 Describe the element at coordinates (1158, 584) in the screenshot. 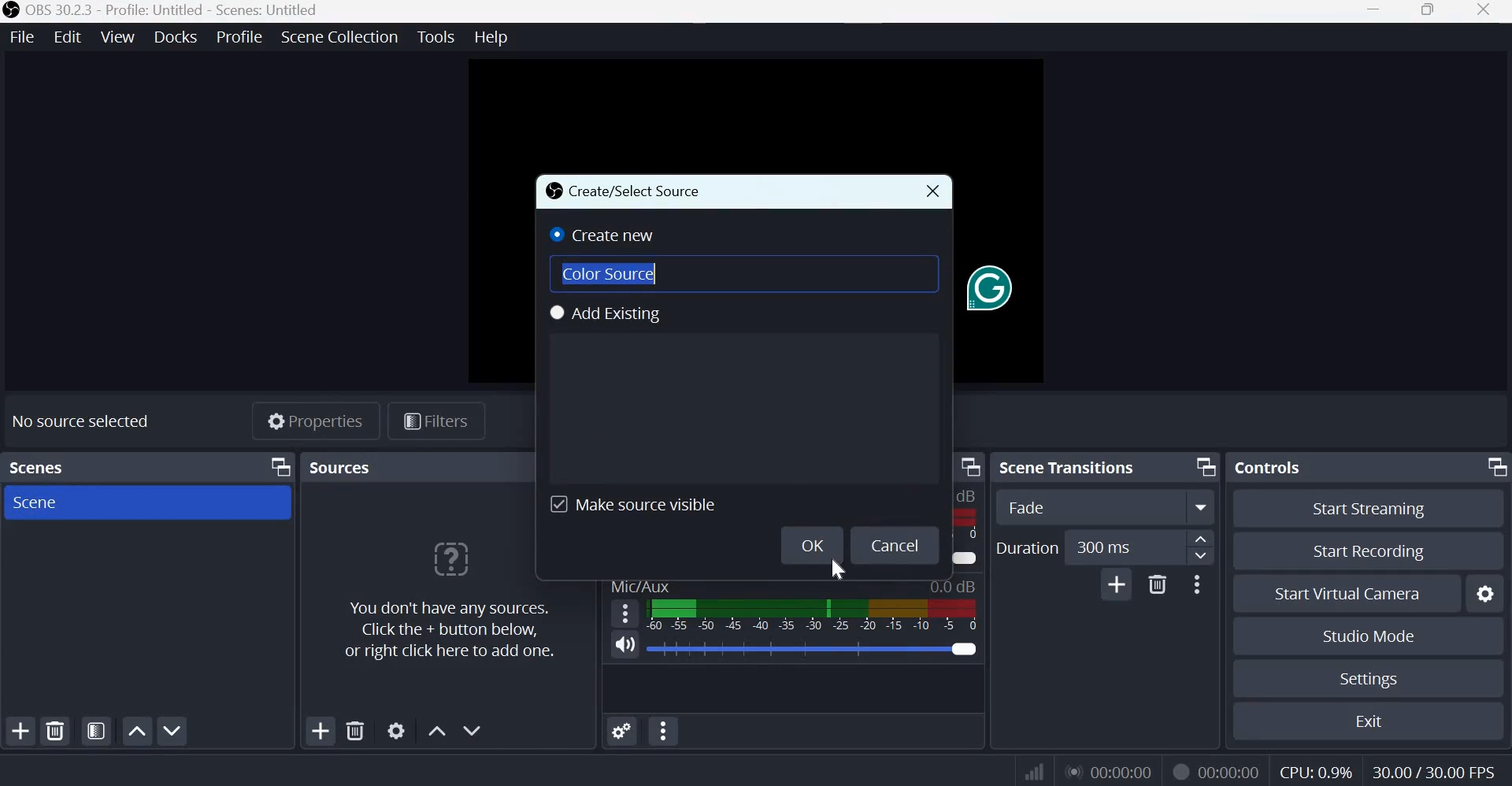

I see `Delete Transition` at that location.